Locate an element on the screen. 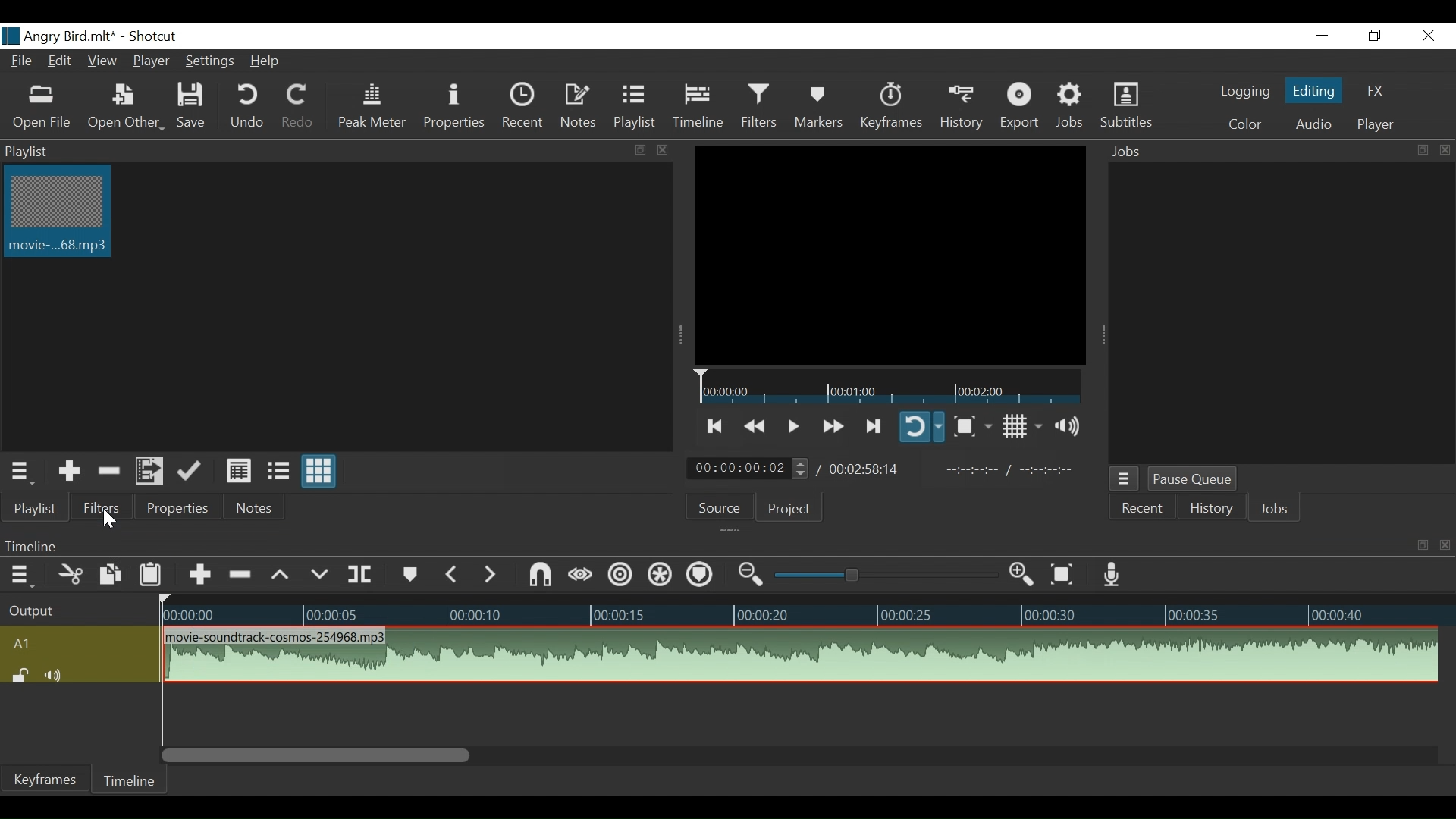 This screenshot has height=819, width=1456. Ripple markers is located at coordinates (701, 574).